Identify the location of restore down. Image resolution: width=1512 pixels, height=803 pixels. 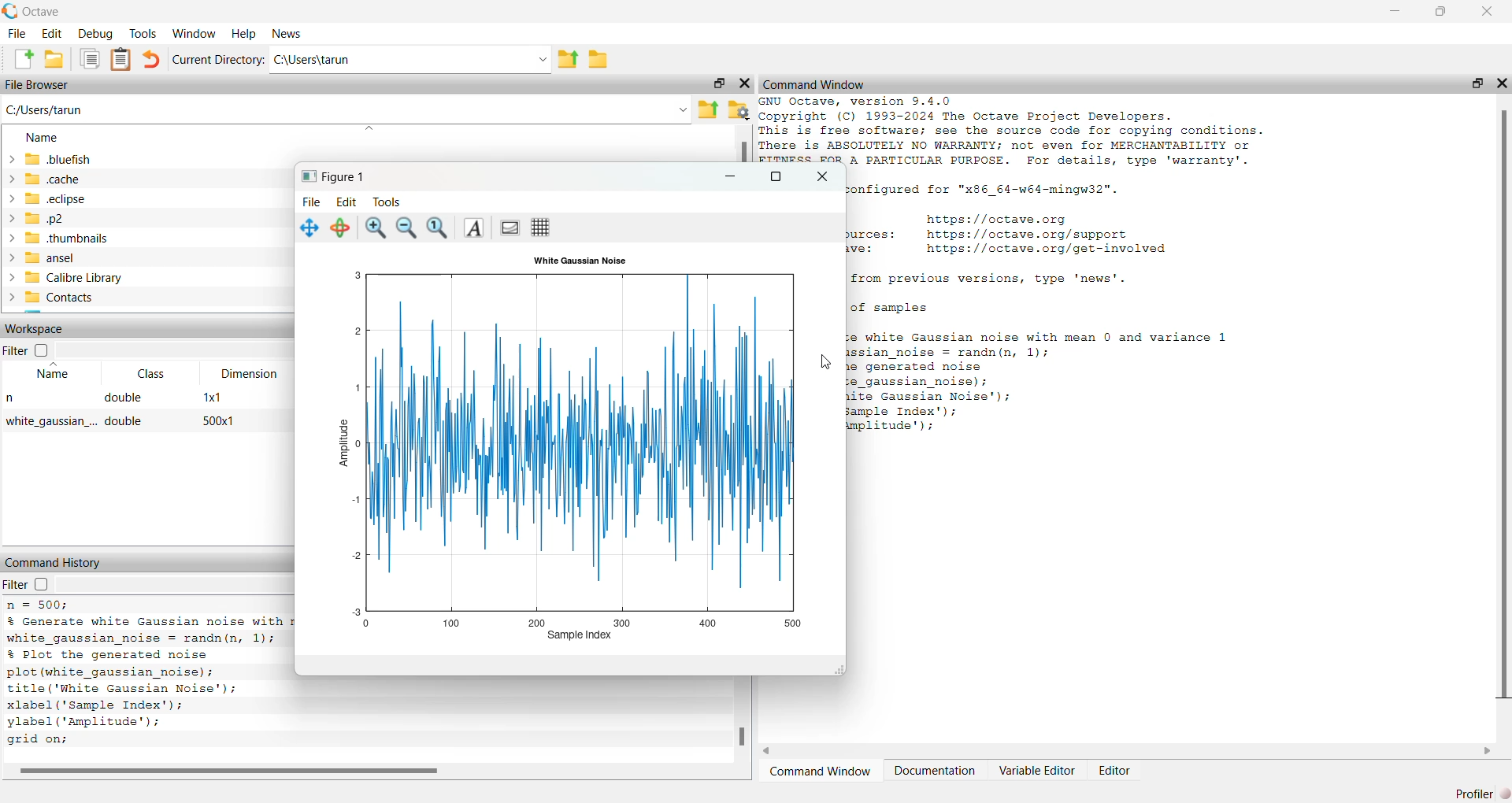
(1440, 11).